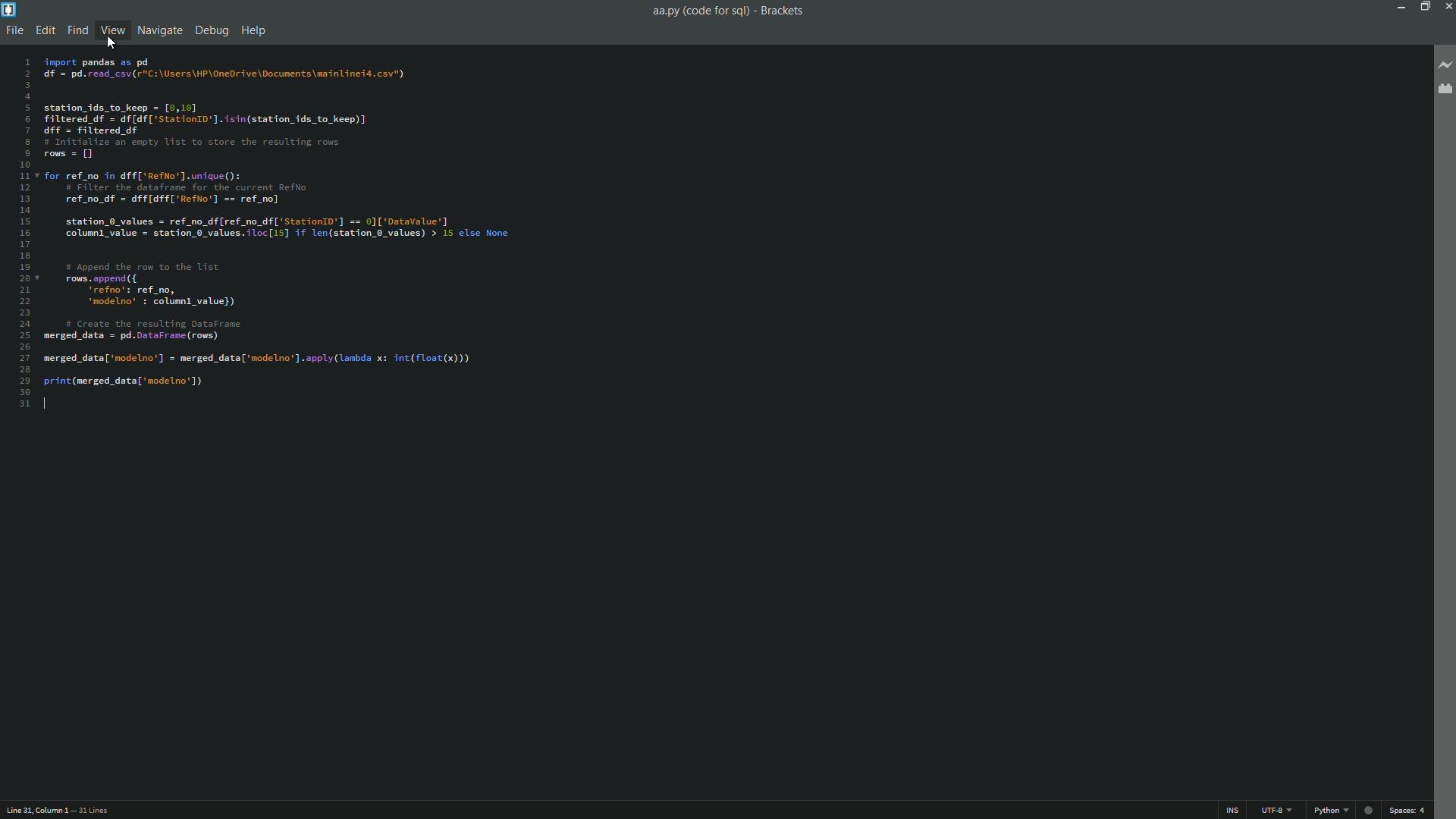 The image size is (1456, 819). I want to click on navigate menu, so click(160, 30).